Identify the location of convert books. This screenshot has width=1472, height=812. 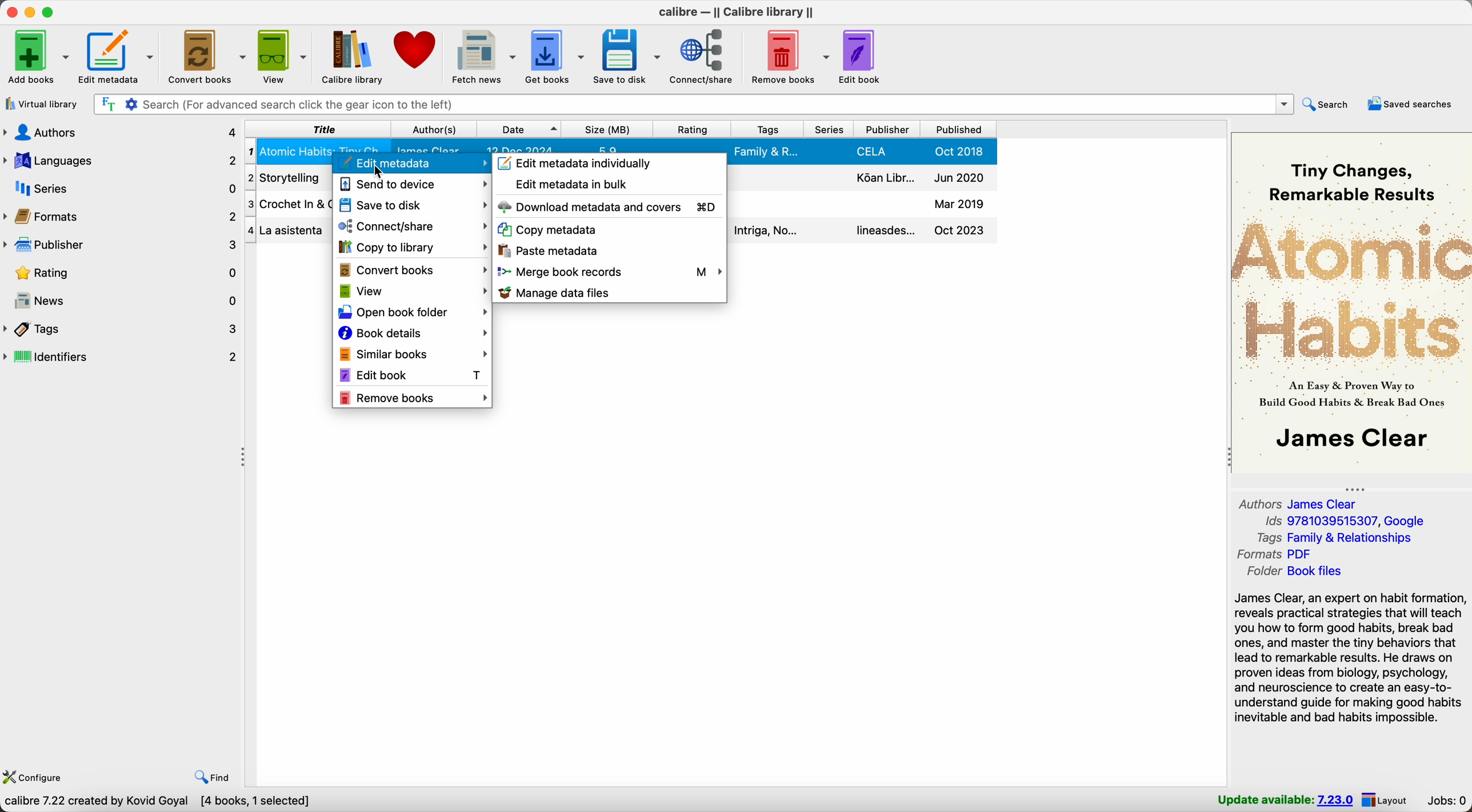
(209, 56).